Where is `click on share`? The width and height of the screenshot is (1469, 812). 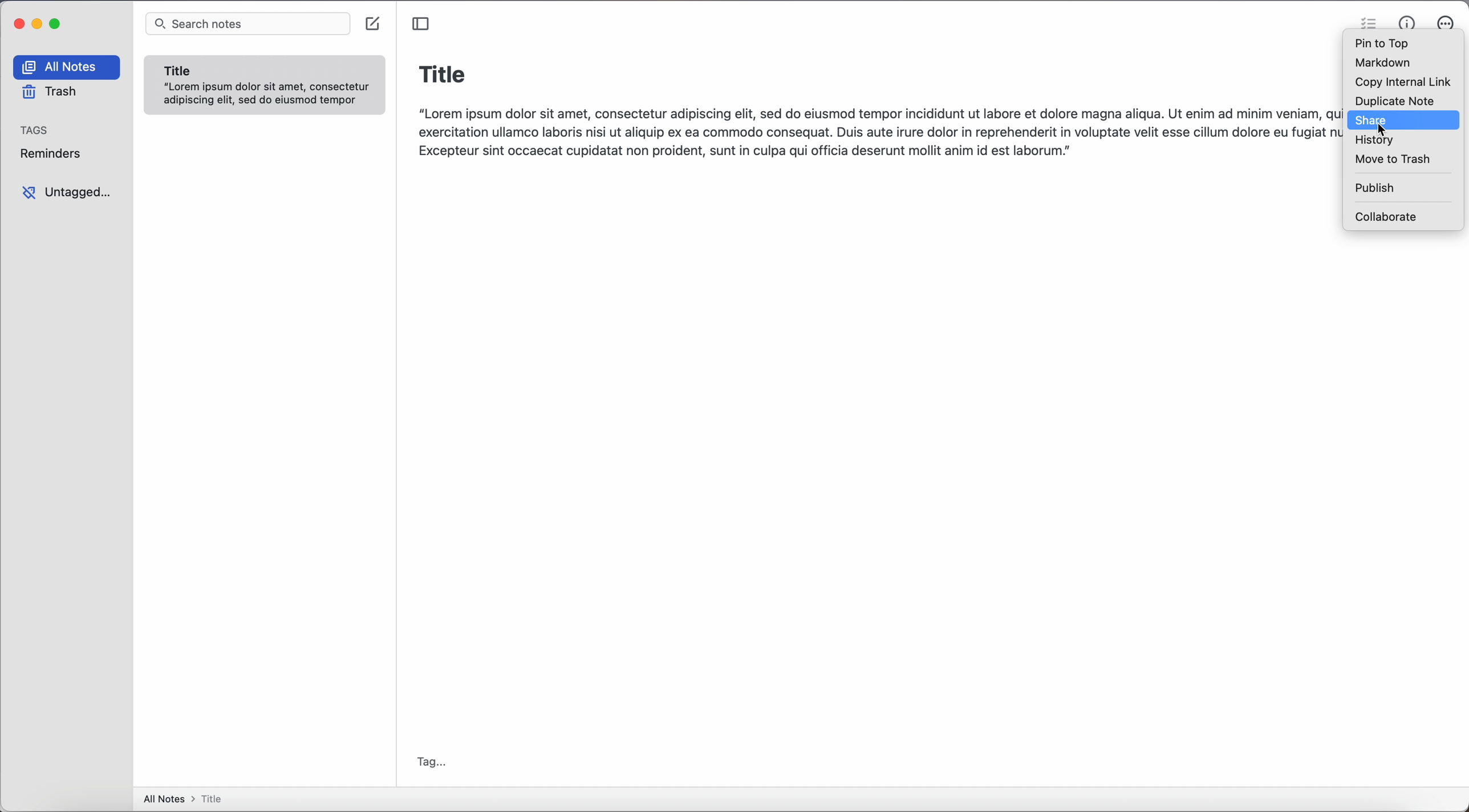
click on share is located at coordinates (1407, 121).